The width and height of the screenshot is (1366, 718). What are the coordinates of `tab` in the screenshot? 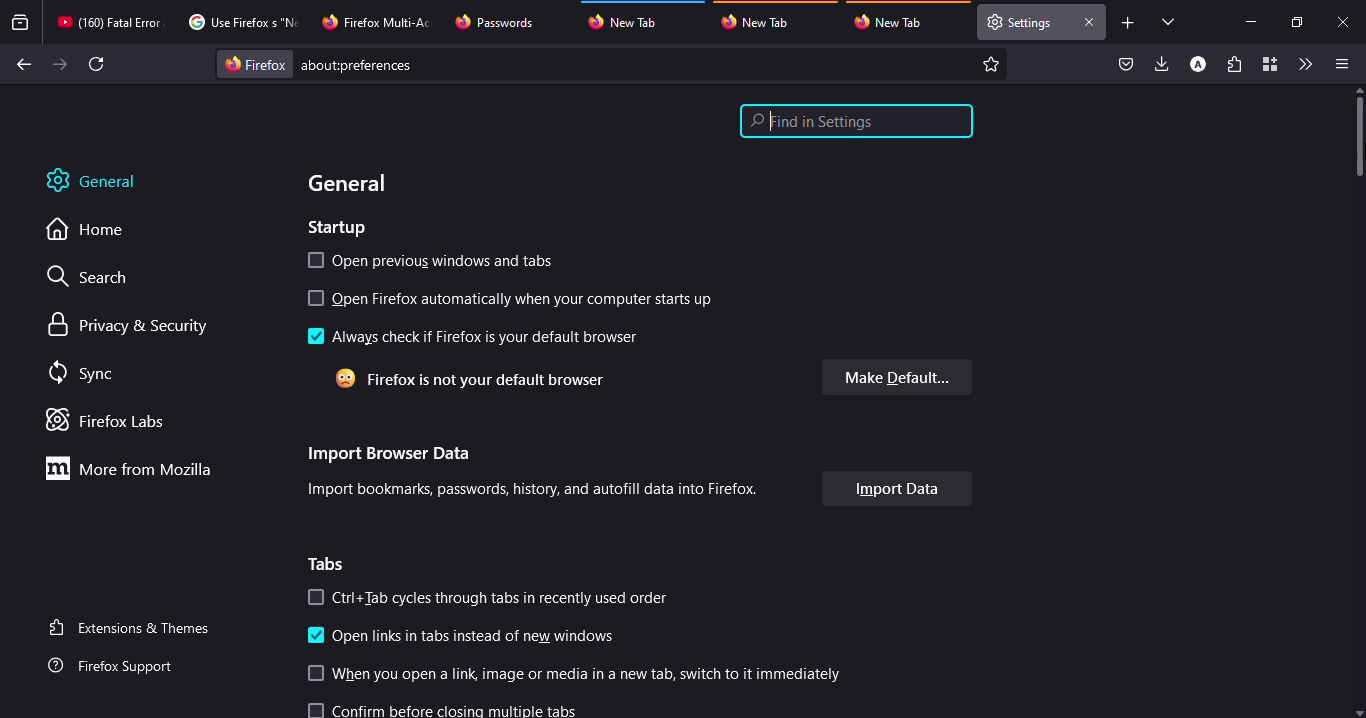 It's located at (109, 22).